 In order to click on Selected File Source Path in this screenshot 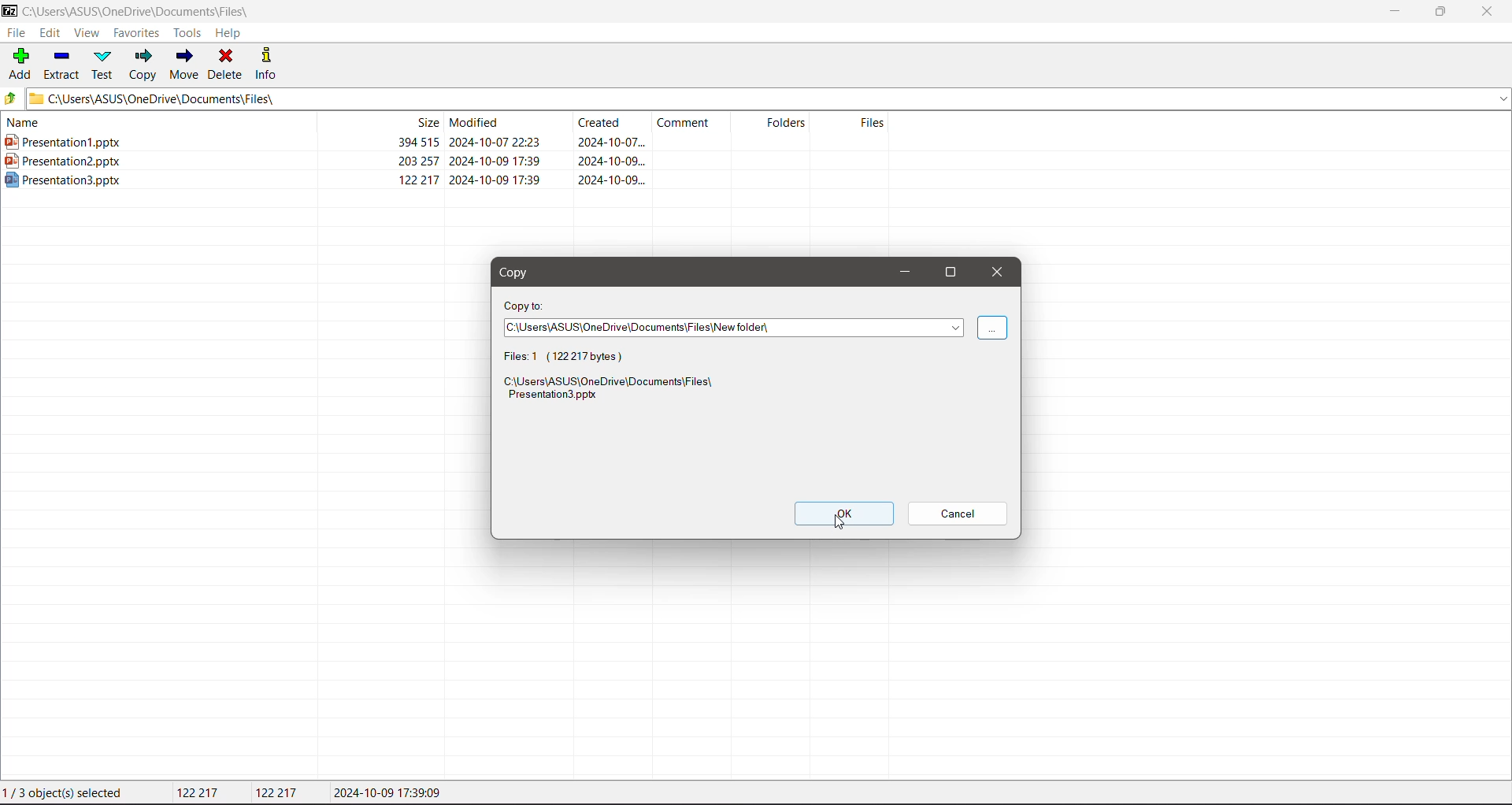, I will do `click(614, 391)`.